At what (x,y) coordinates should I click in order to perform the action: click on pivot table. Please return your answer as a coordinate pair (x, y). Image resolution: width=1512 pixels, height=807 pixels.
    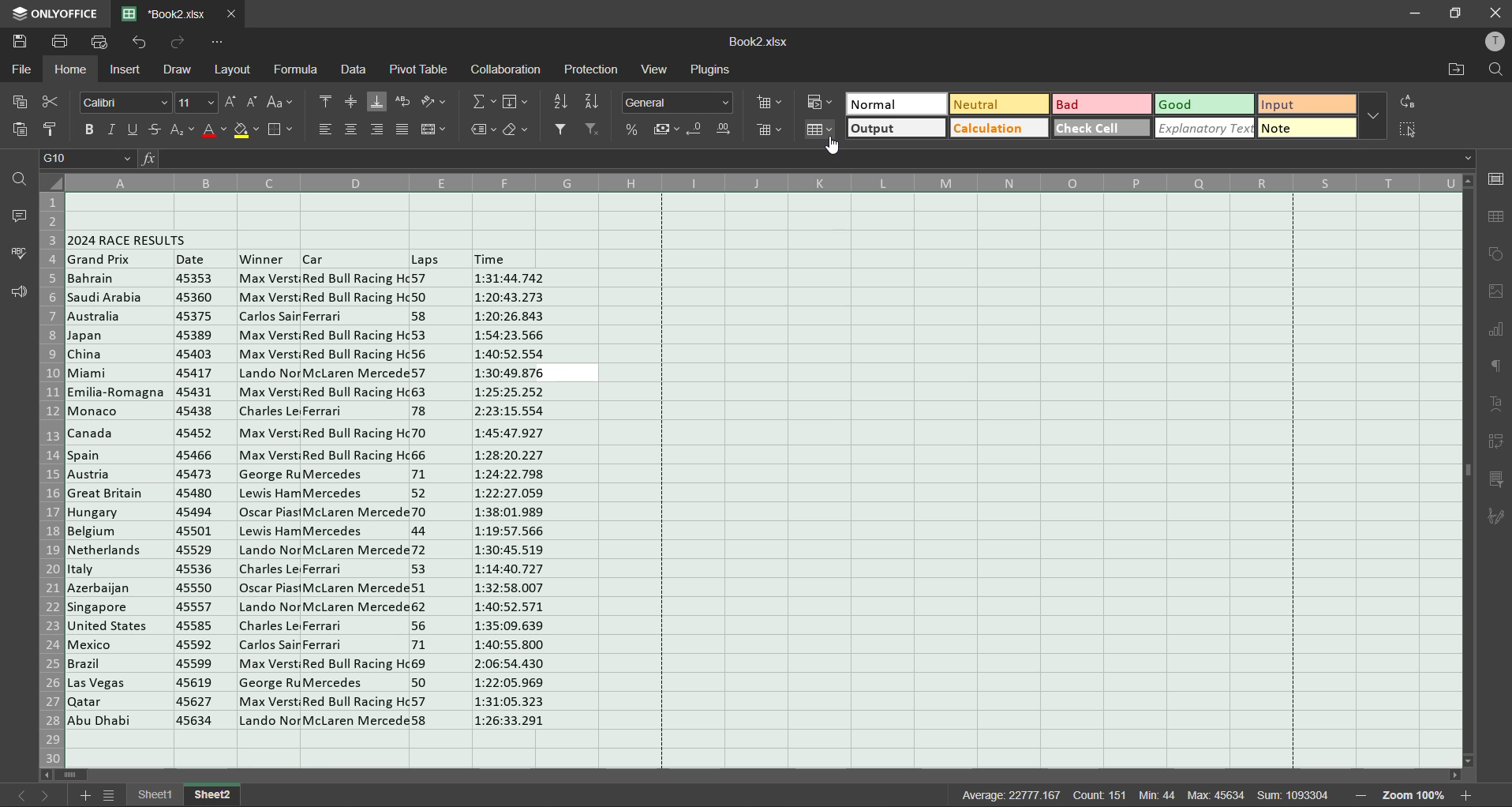
    Looking at the image, I should click on (1495, 440).